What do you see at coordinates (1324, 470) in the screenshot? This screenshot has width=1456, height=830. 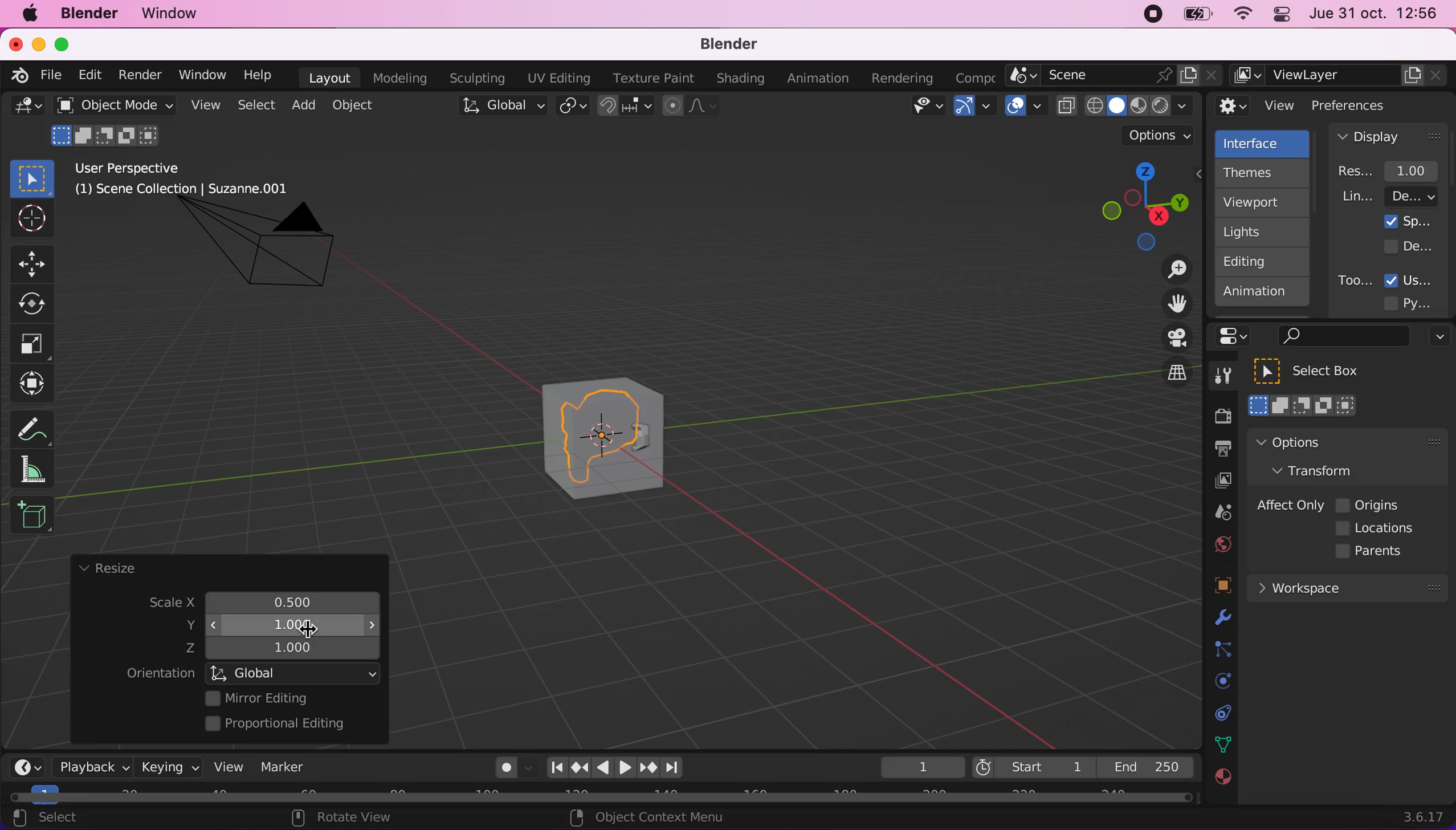 I see `transform` at bounding box center [1324, 470].